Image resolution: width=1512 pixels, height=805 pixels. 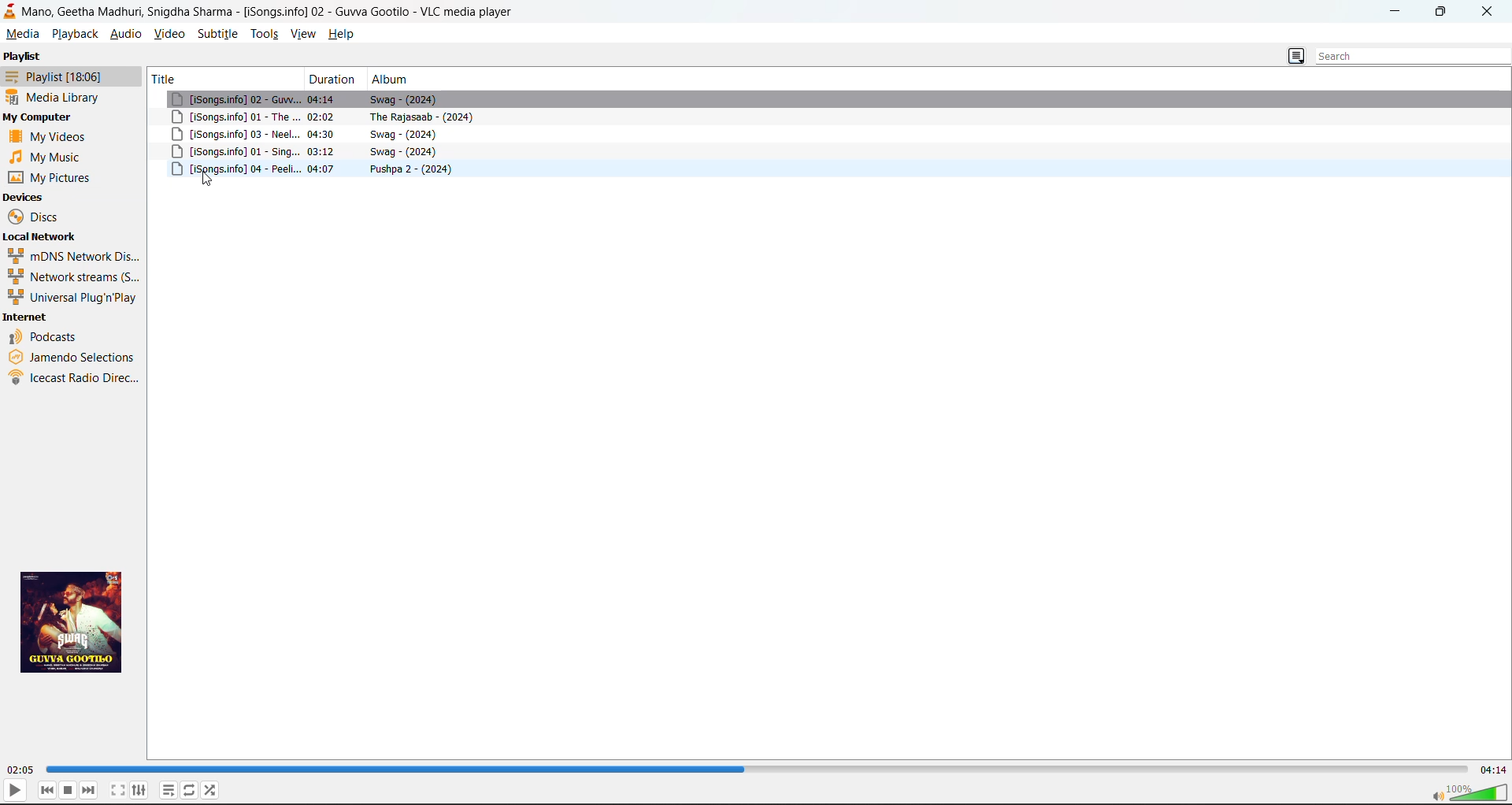 I want to click on settings, so click(x=140, y=790).